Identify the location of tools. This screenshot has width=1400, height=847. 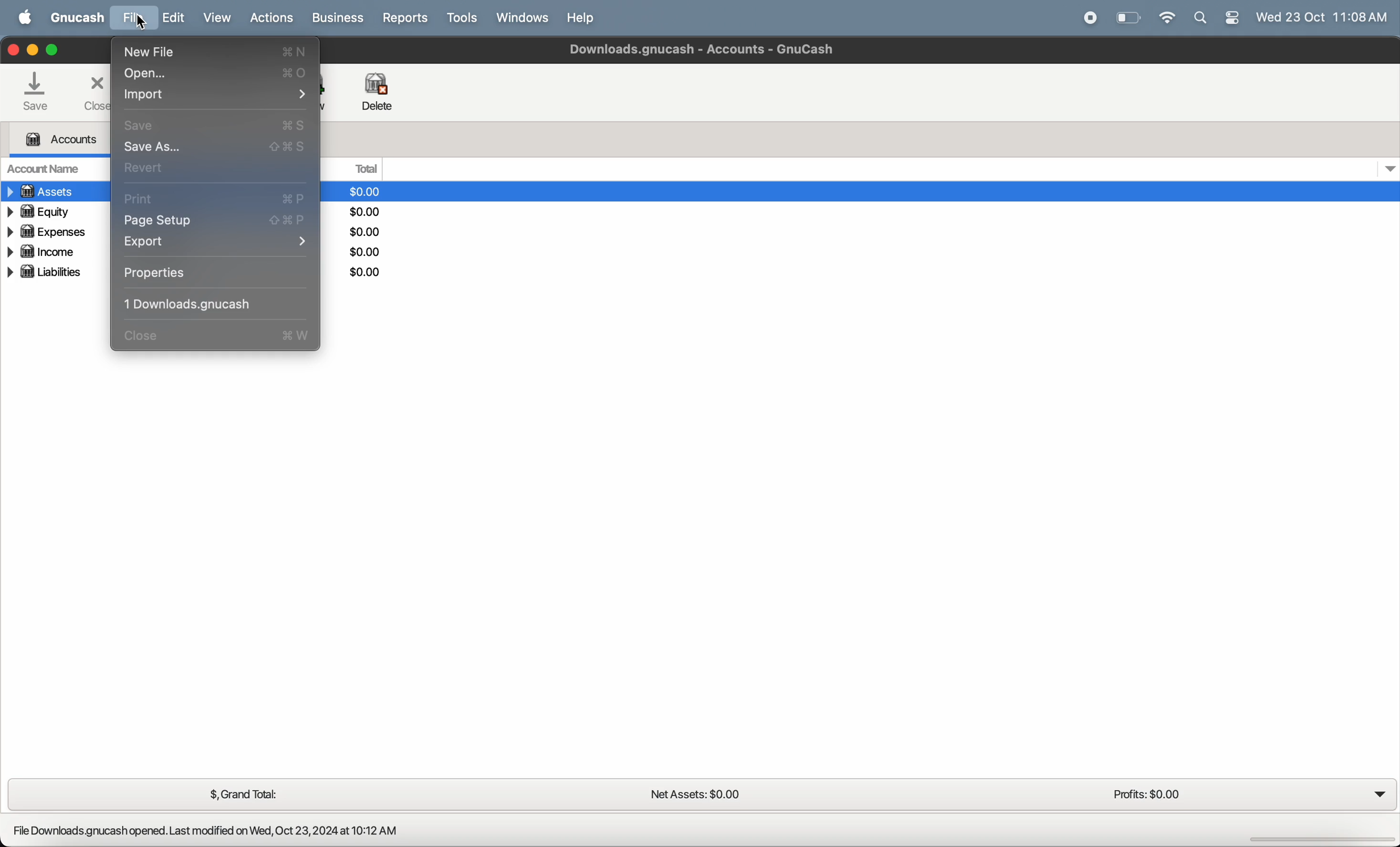
(458, 17).